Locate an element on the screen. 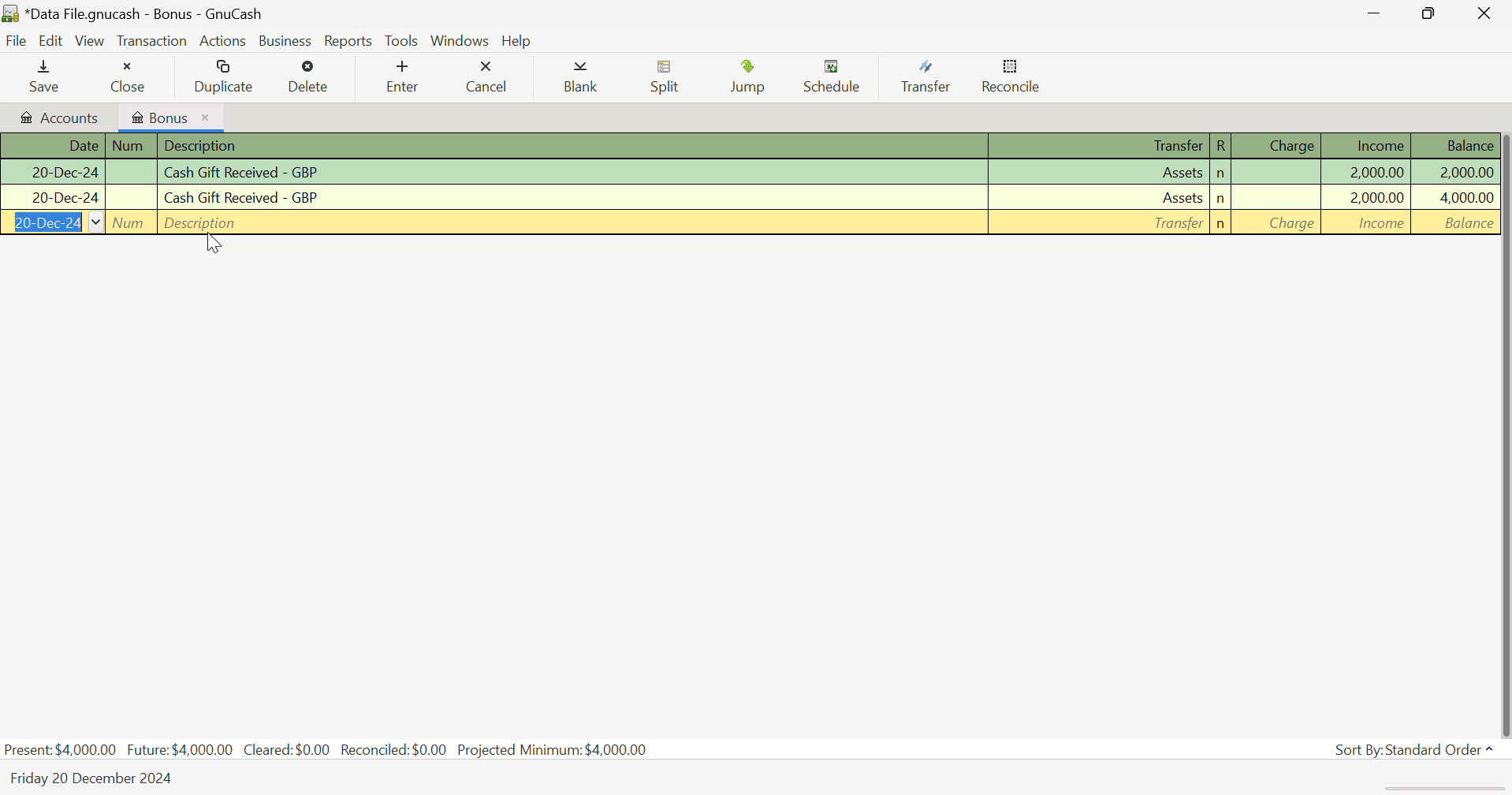 The height and width of the screenshot is (795, 1512). Date is located at coordinates (53, 198).